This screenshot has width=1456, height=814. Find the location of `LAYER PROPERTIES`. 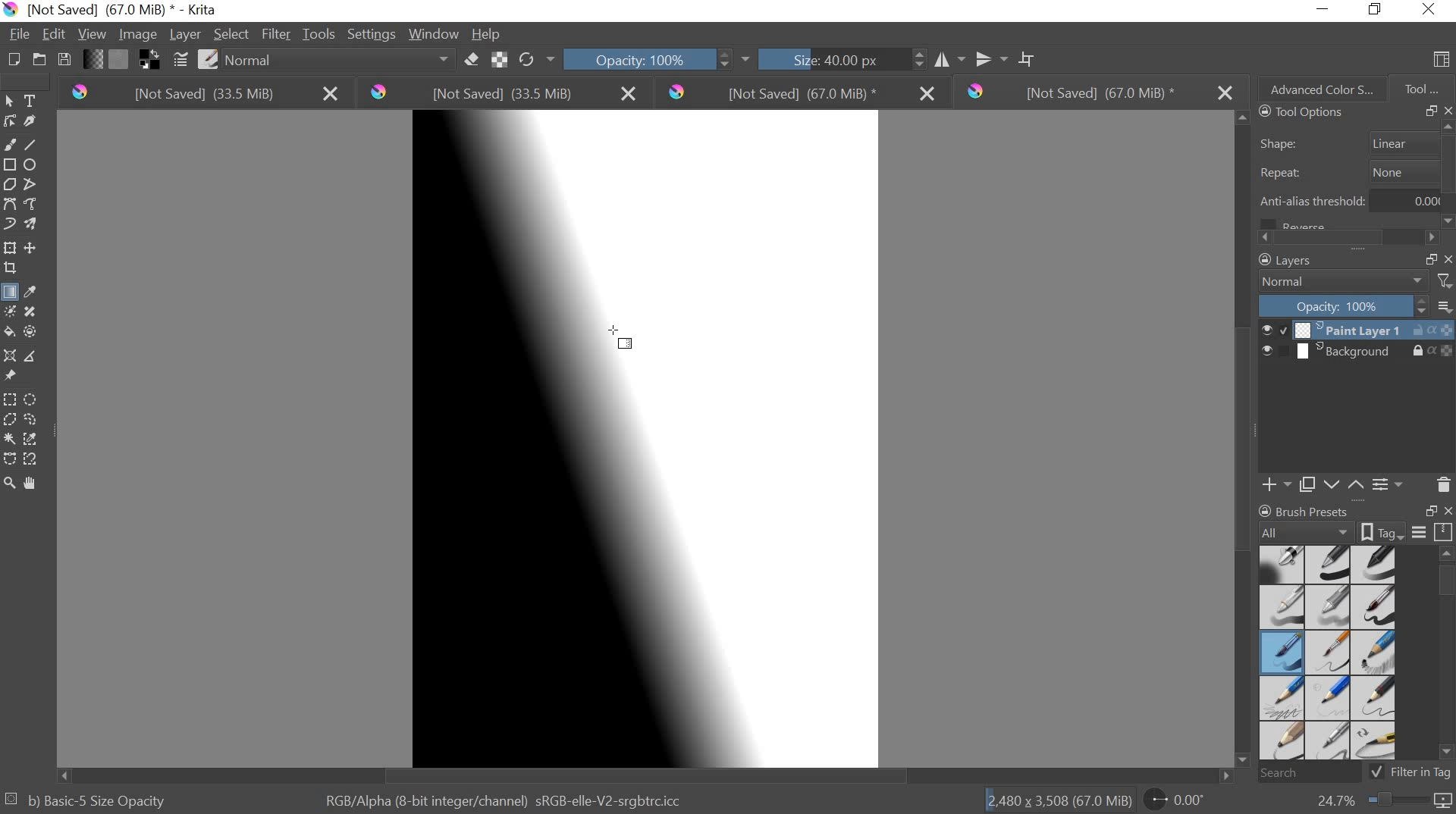

LAYER PROPERTIES is located at coordinates (1388, 484).